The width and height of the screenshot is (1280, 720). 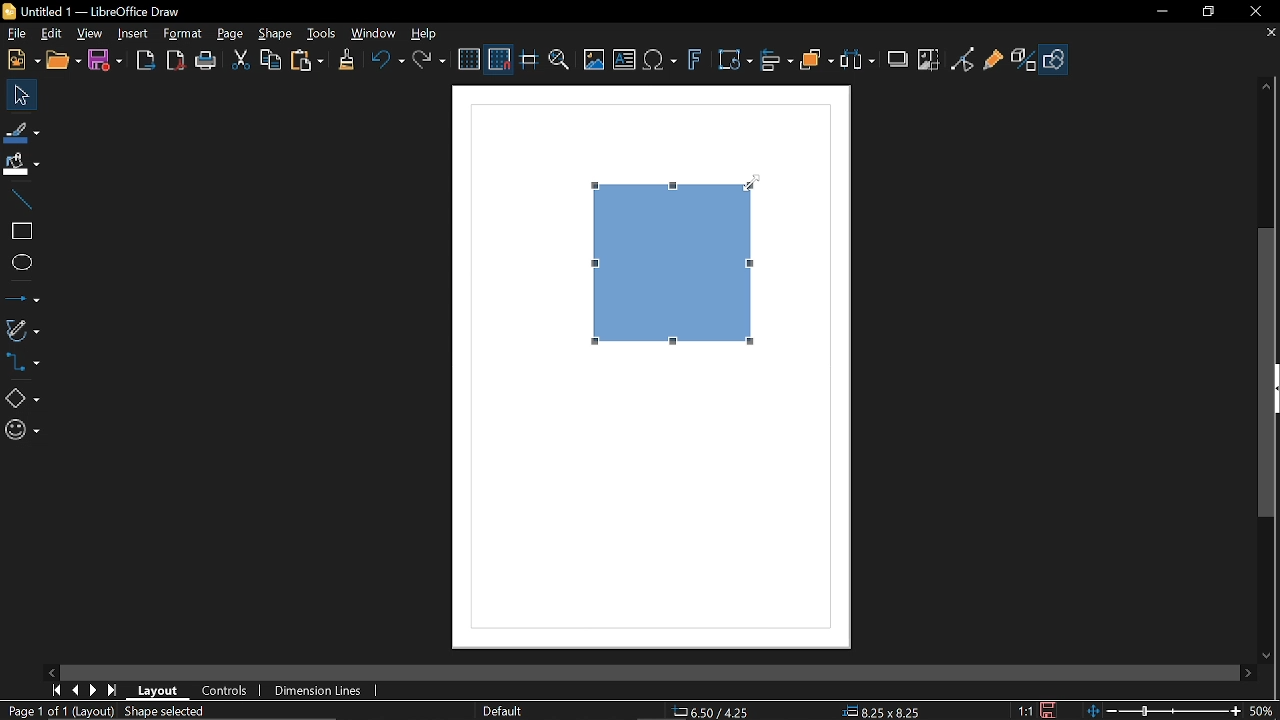 What do you see at coordinates (21, 129) in the screenshot?
I see `Line color` at bounding box center [21, 129].